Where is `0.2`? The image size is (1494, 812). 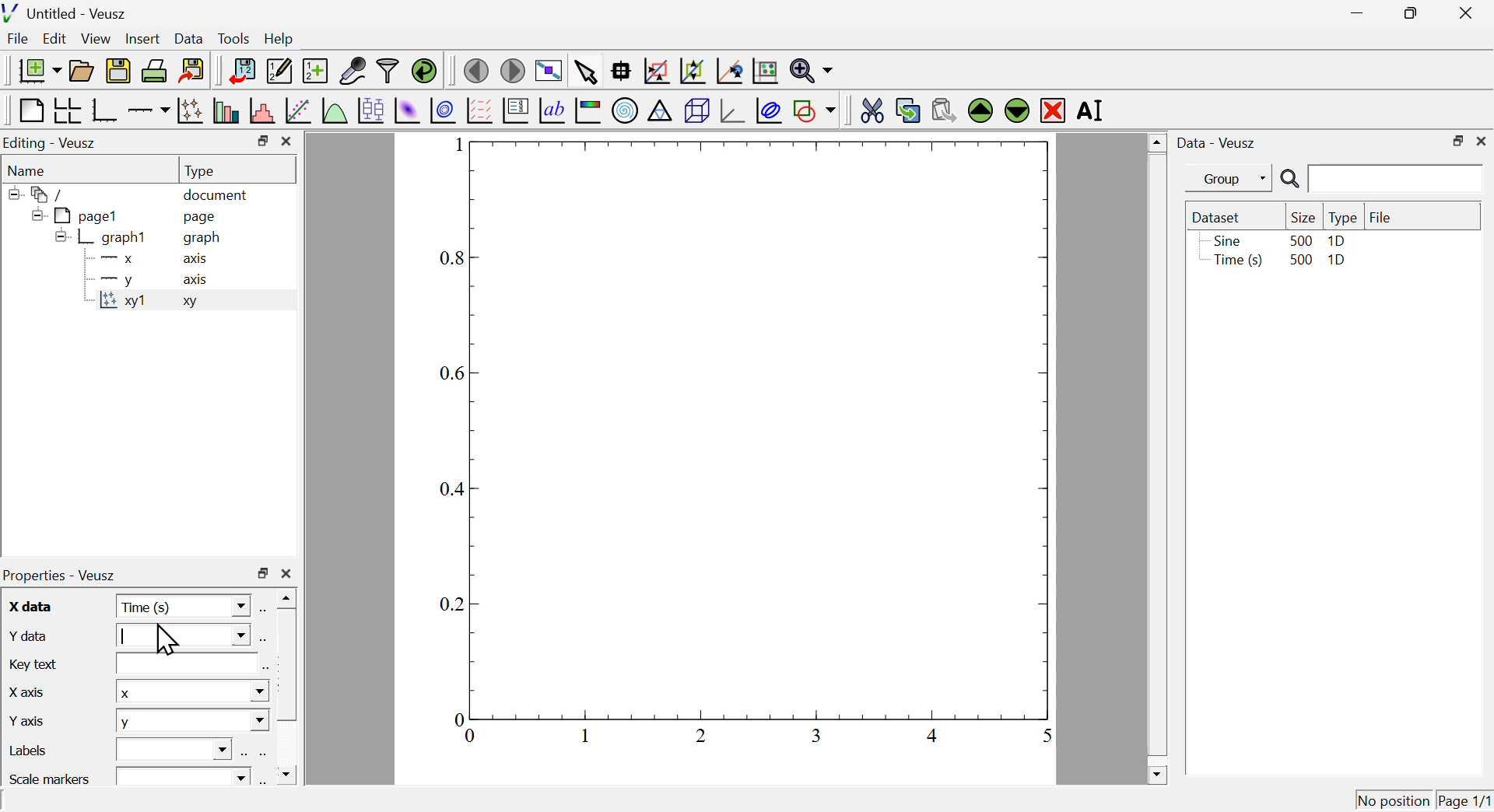
0.2 is located at coordinates (585, 736).